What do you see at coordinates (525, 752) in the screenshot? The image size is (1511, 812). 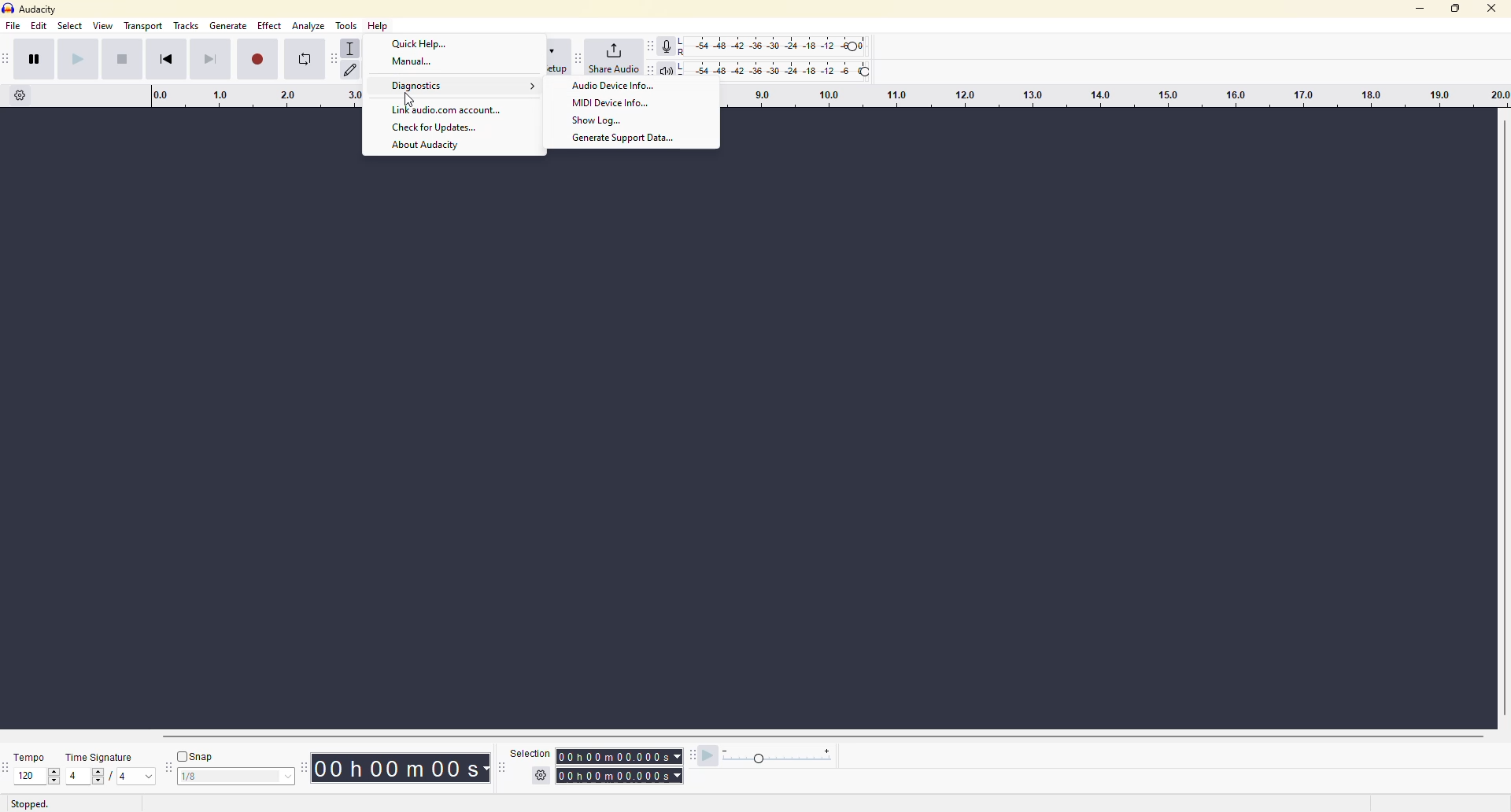 I see `selection` at bounding box center [525, 752].